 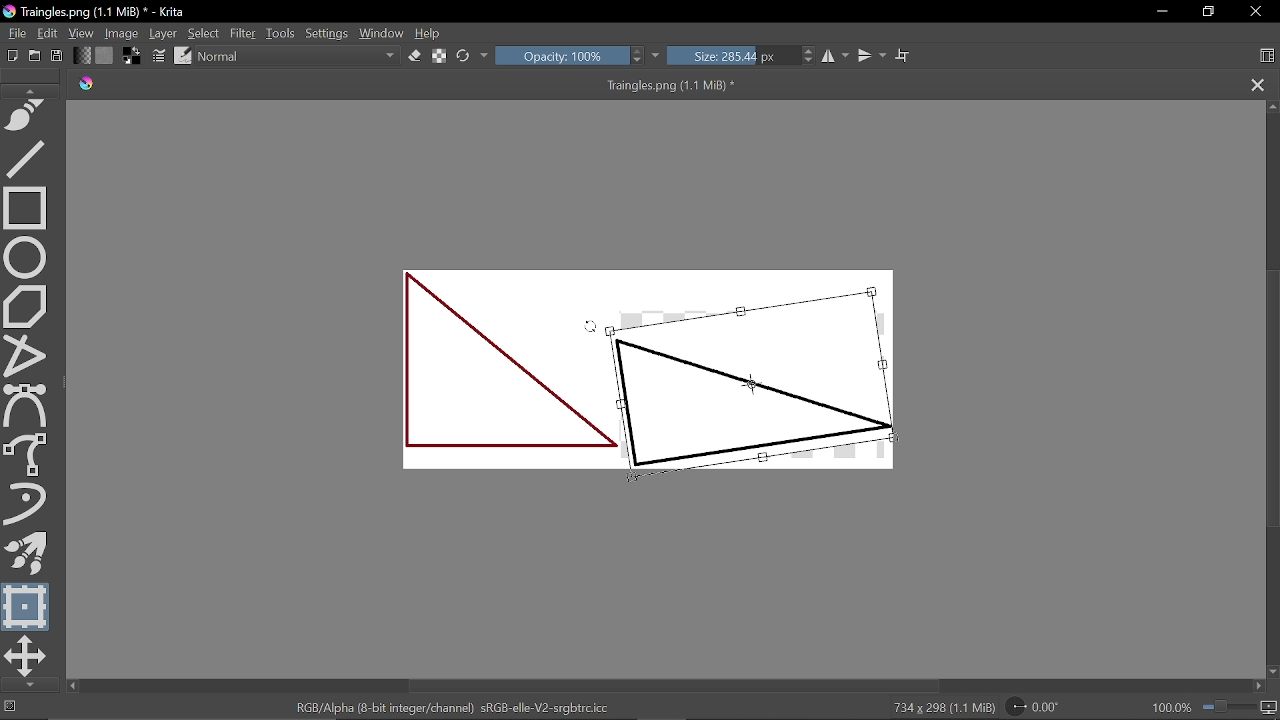 I want to click on Ellipse select tool, so click(x=29, y=255).